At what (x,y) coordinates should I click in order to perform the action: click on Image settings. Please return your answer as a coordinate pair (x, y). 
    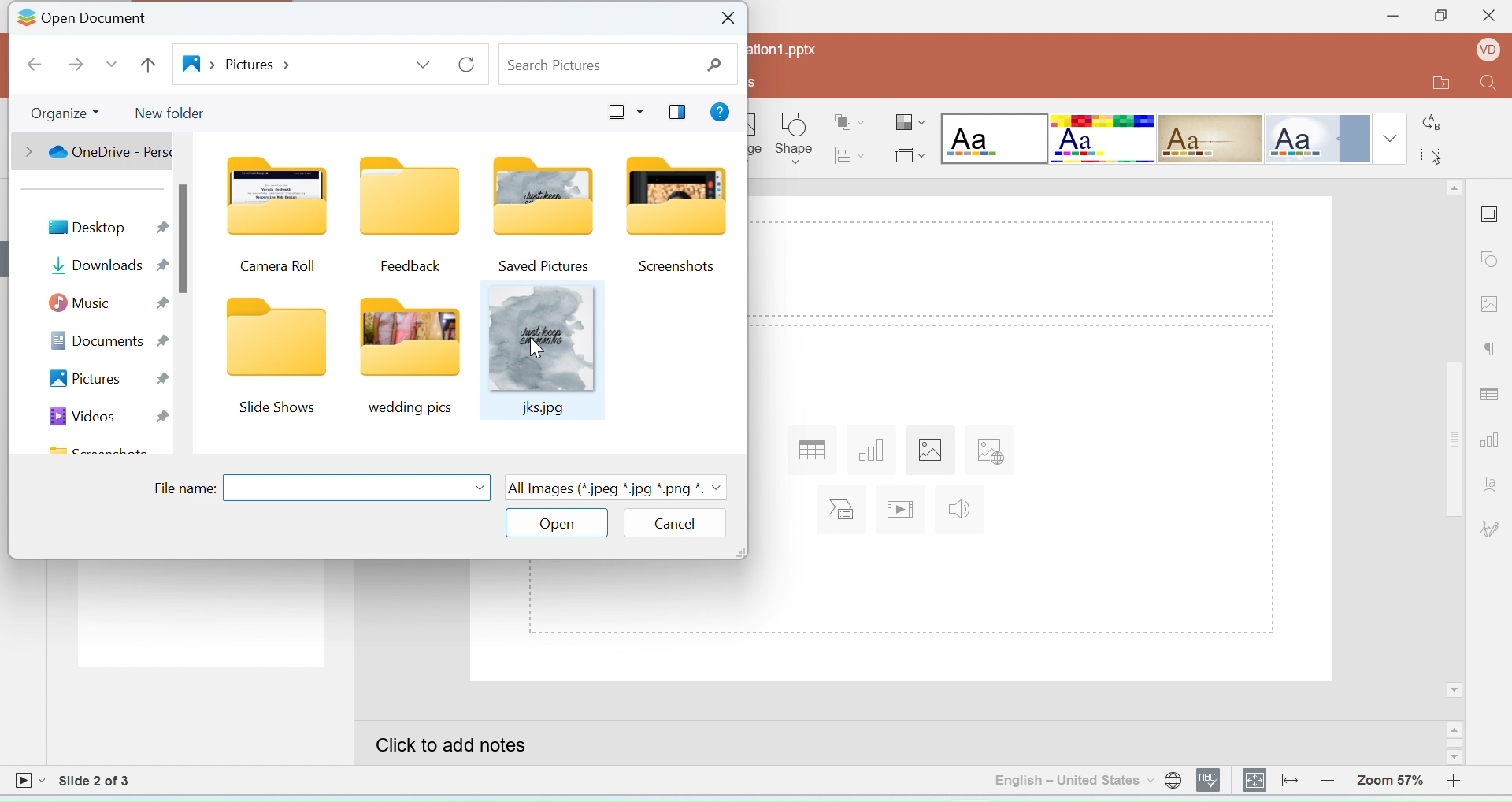
    Looking at the image, I should click on (1492, 303).